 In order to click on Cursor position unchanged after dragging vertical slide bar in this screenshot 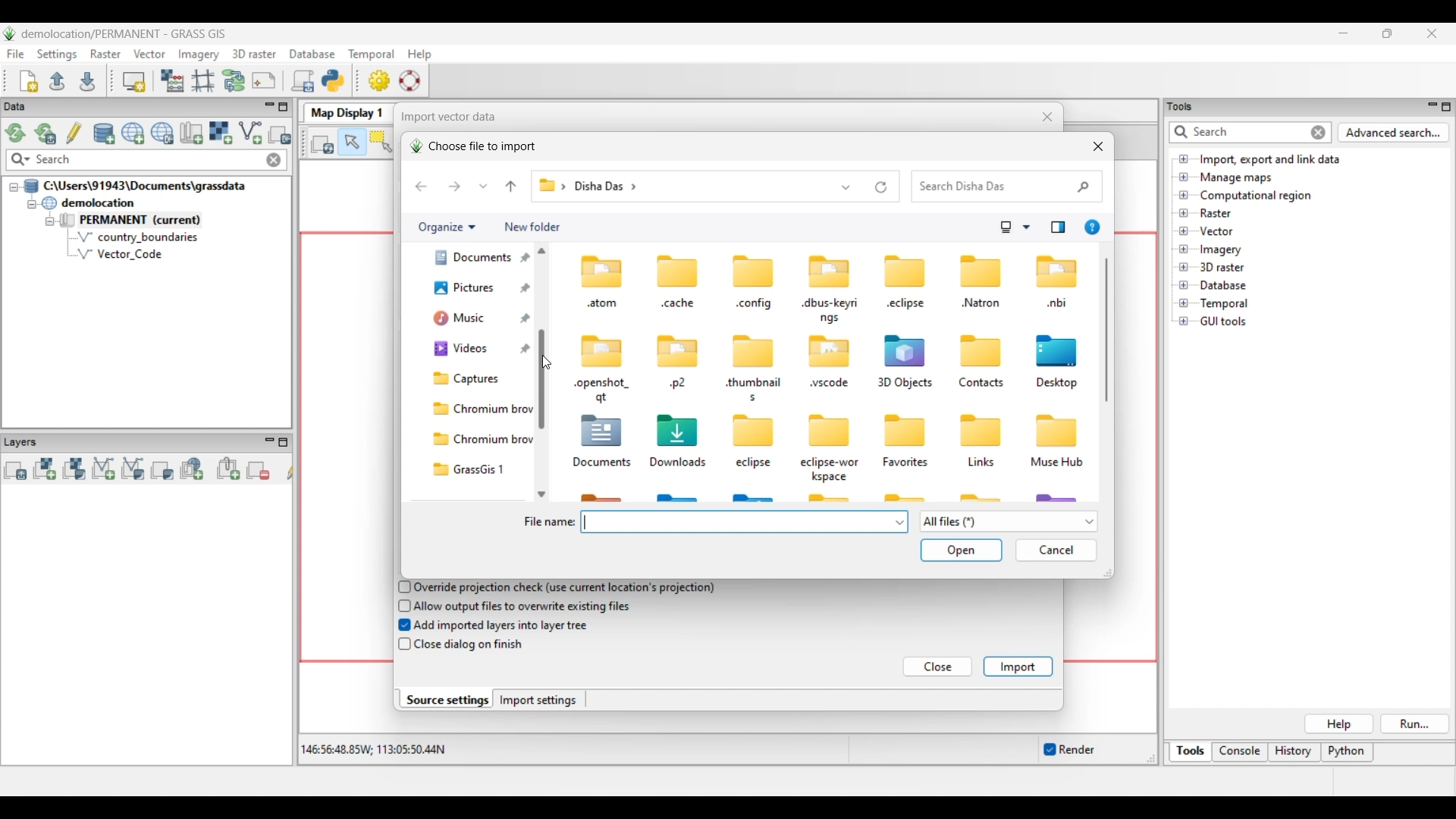, I will do `click(546, 362)`.